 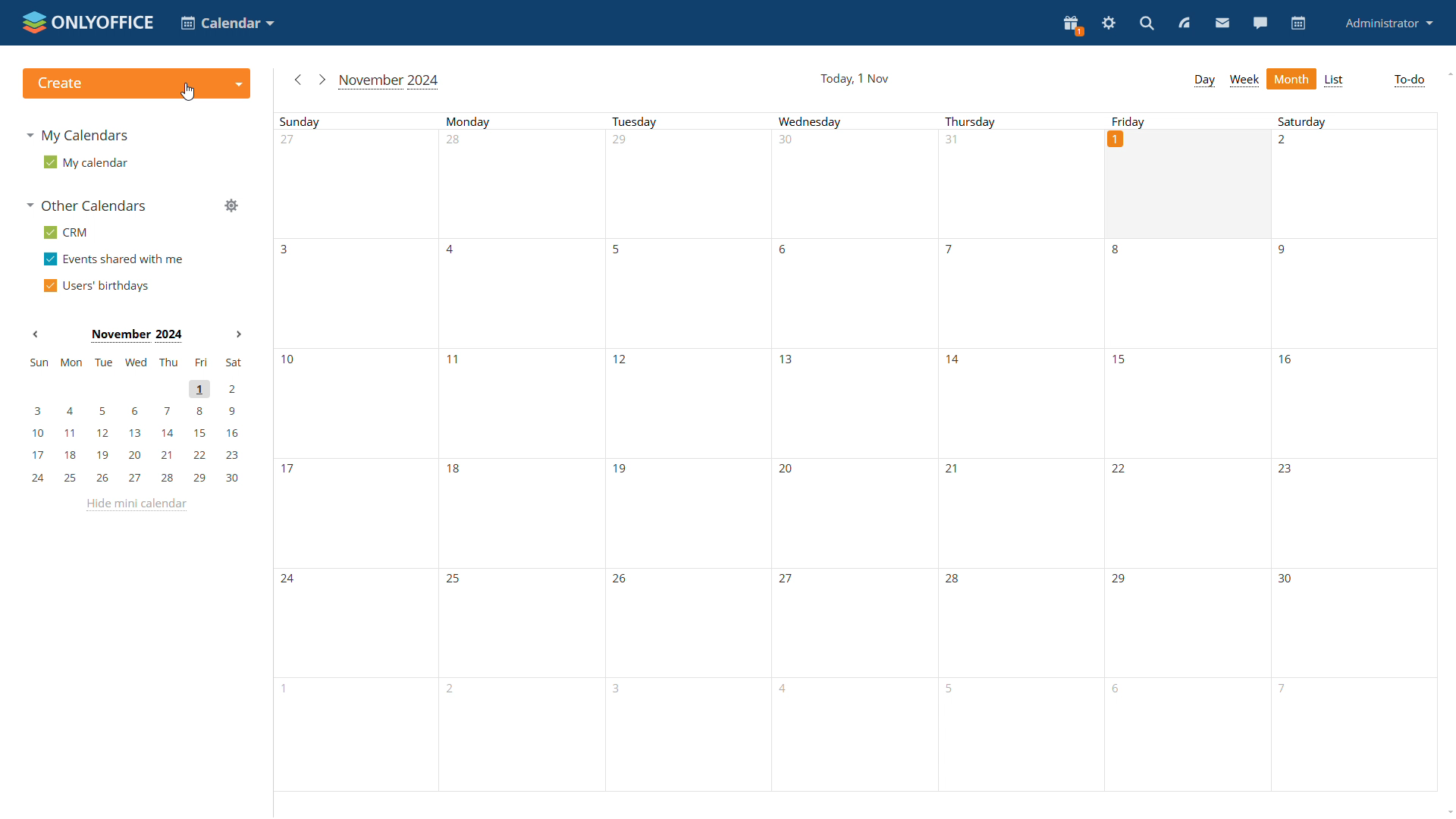 I want to click on Current date: Friday, so click(x=1188, y=184).